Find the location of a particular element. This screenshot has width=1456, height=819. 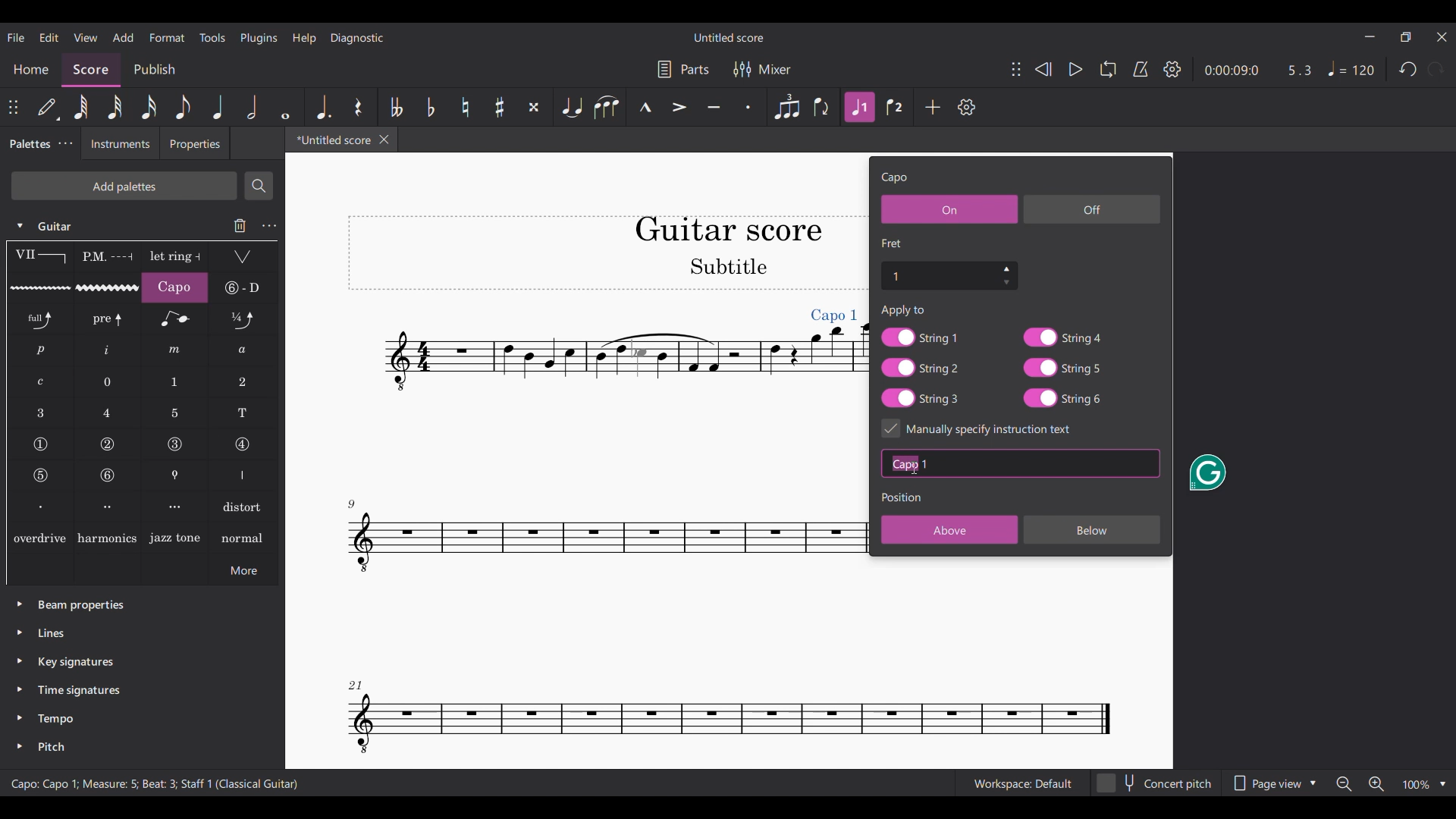

String 1 toggle is located at coordinates (920, 337).